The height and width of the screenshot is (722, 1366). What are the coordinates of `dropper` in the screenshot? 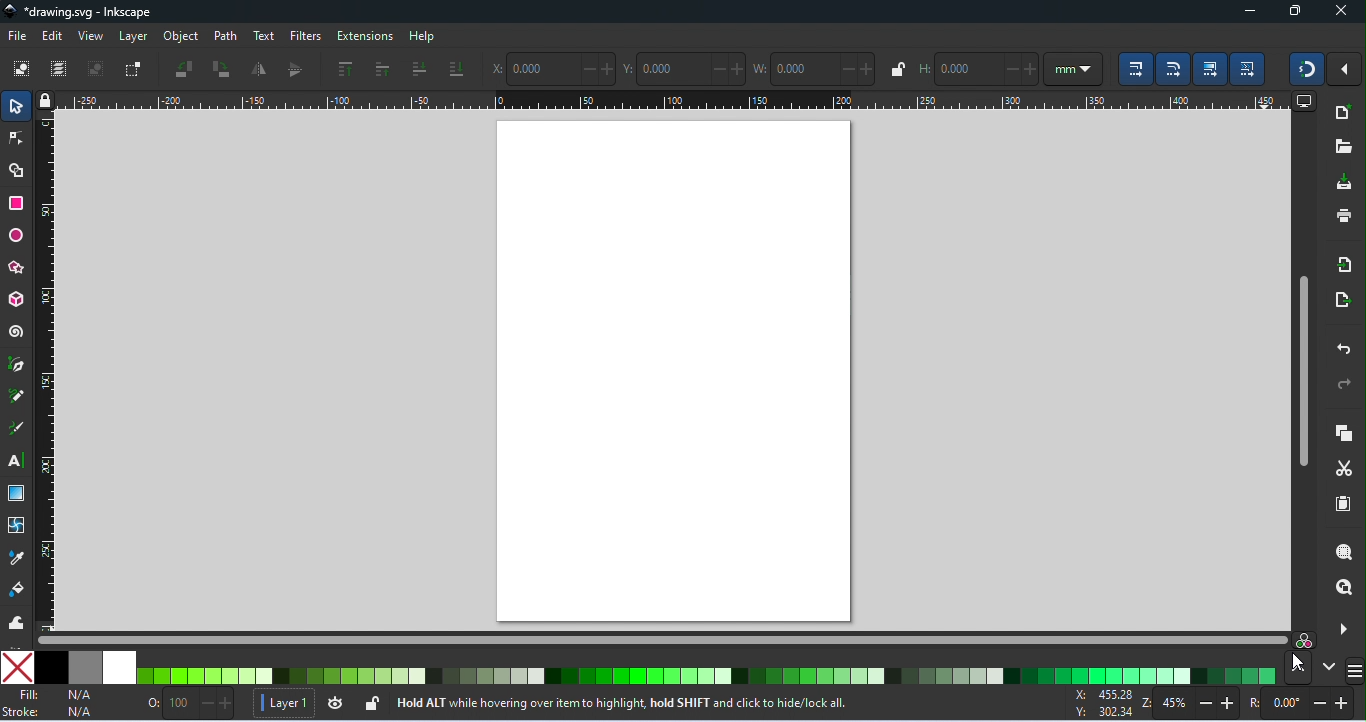 It's located at (17, 558).